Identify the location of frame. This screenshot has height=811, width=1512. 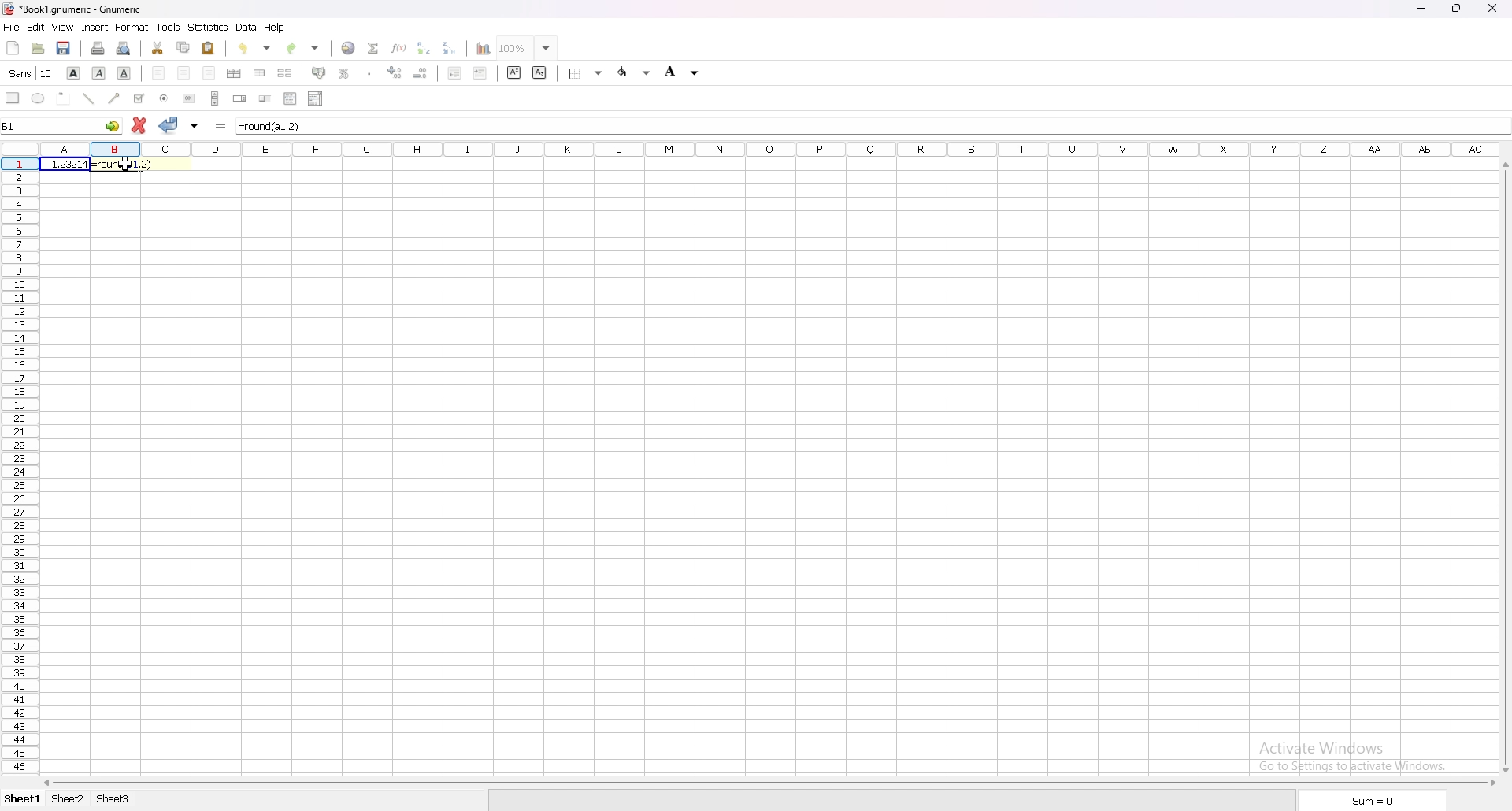
(64, 97).